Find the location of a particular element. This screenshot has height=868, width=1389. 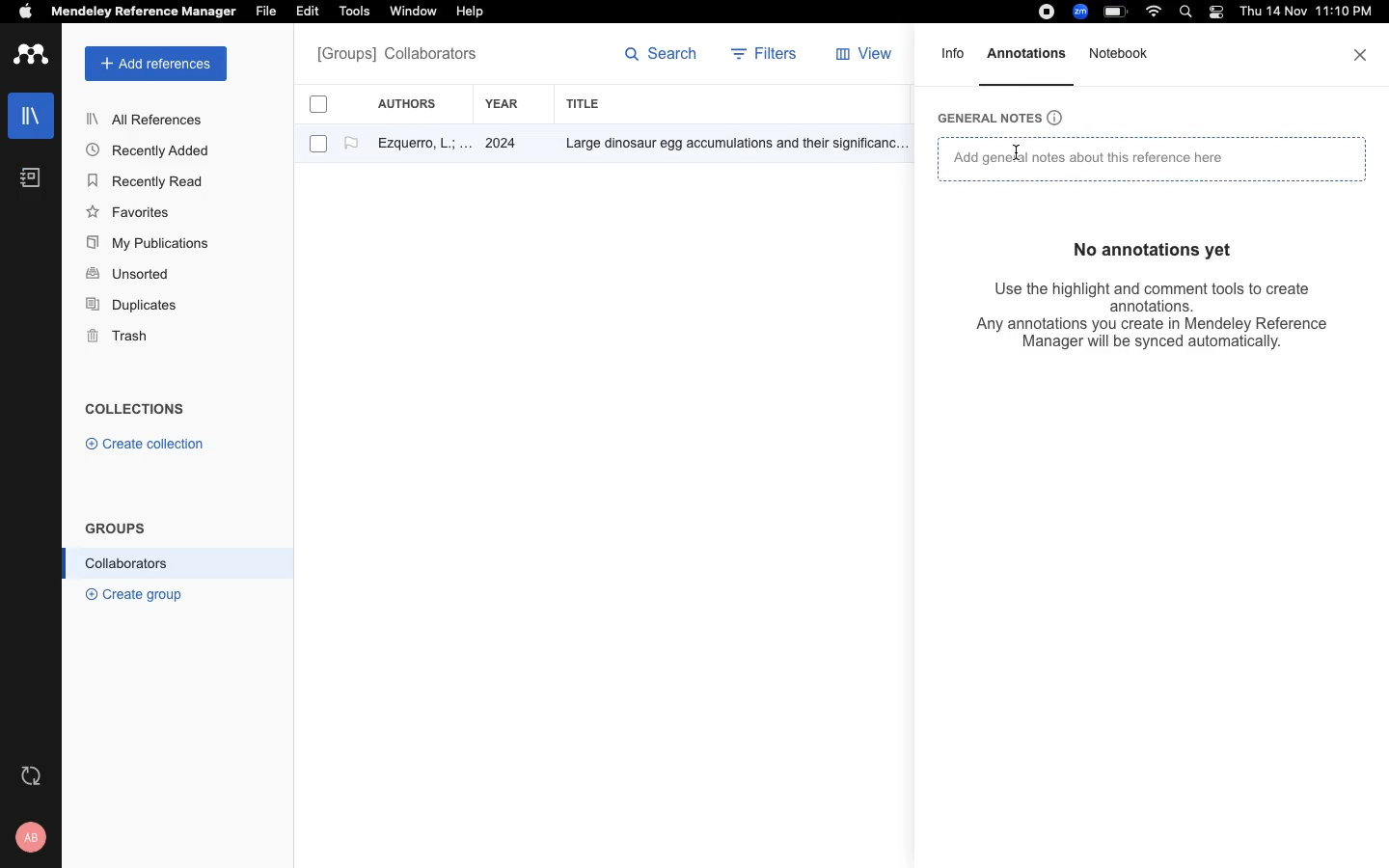

My Publications is located at coordinates (149, 246).